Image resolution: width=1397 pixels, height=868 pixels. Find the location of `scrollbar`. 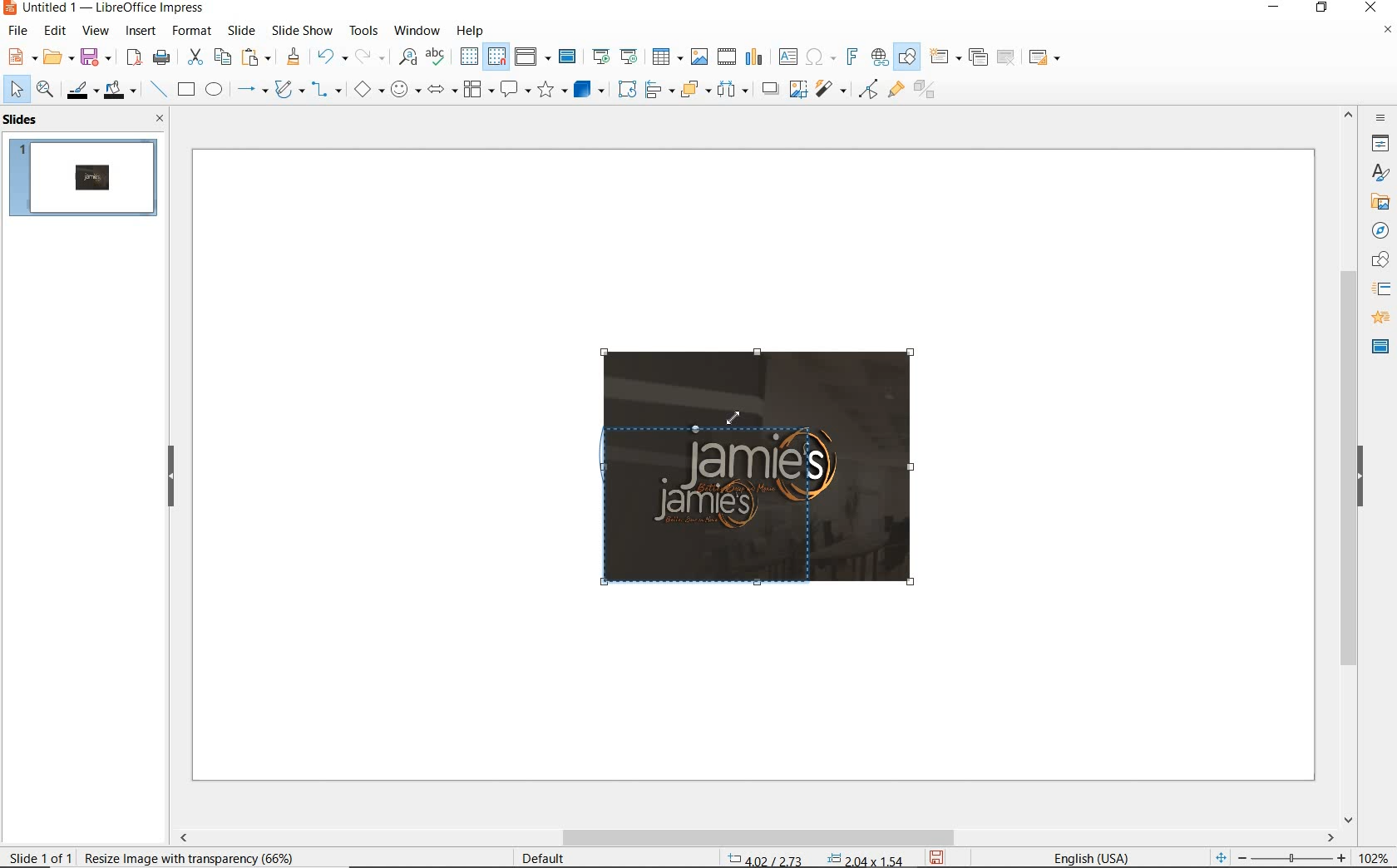

scrollbar is located at coordinates (1349, 465).